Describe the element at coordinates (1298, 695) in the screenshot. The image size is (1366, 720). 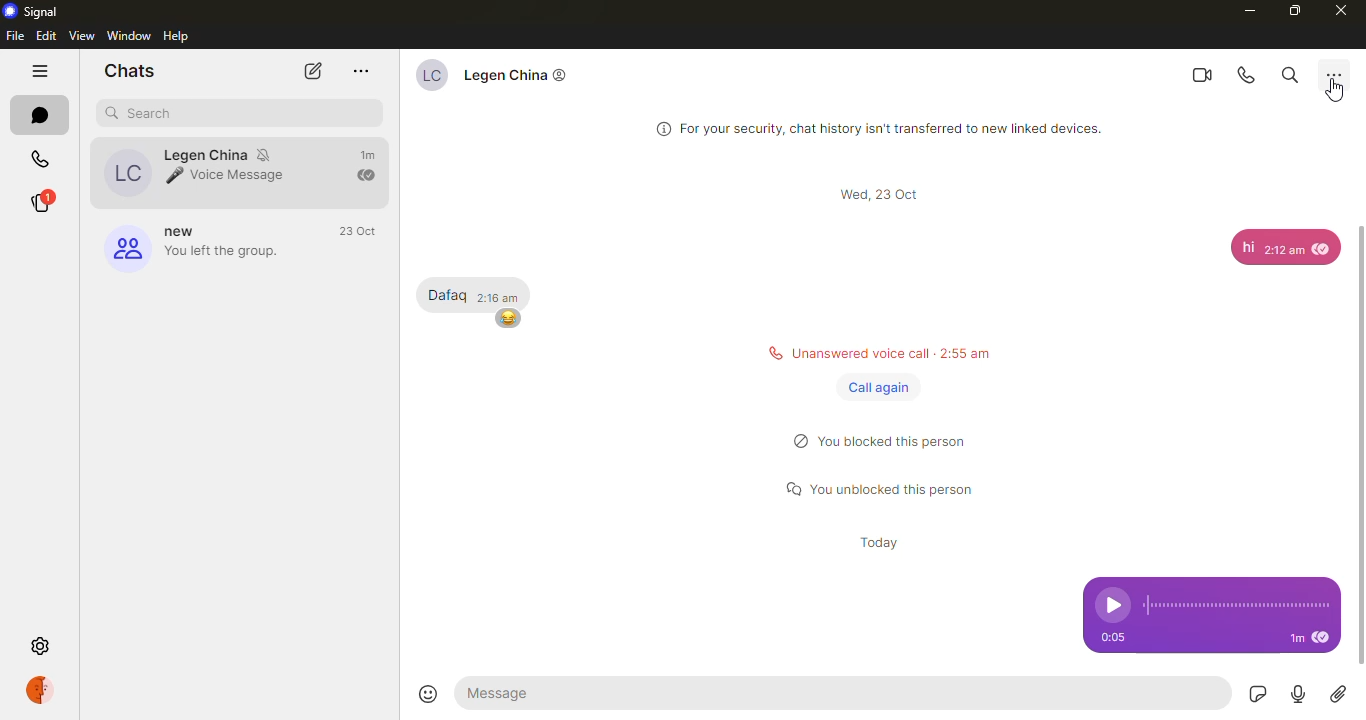
I see `record` at that location.